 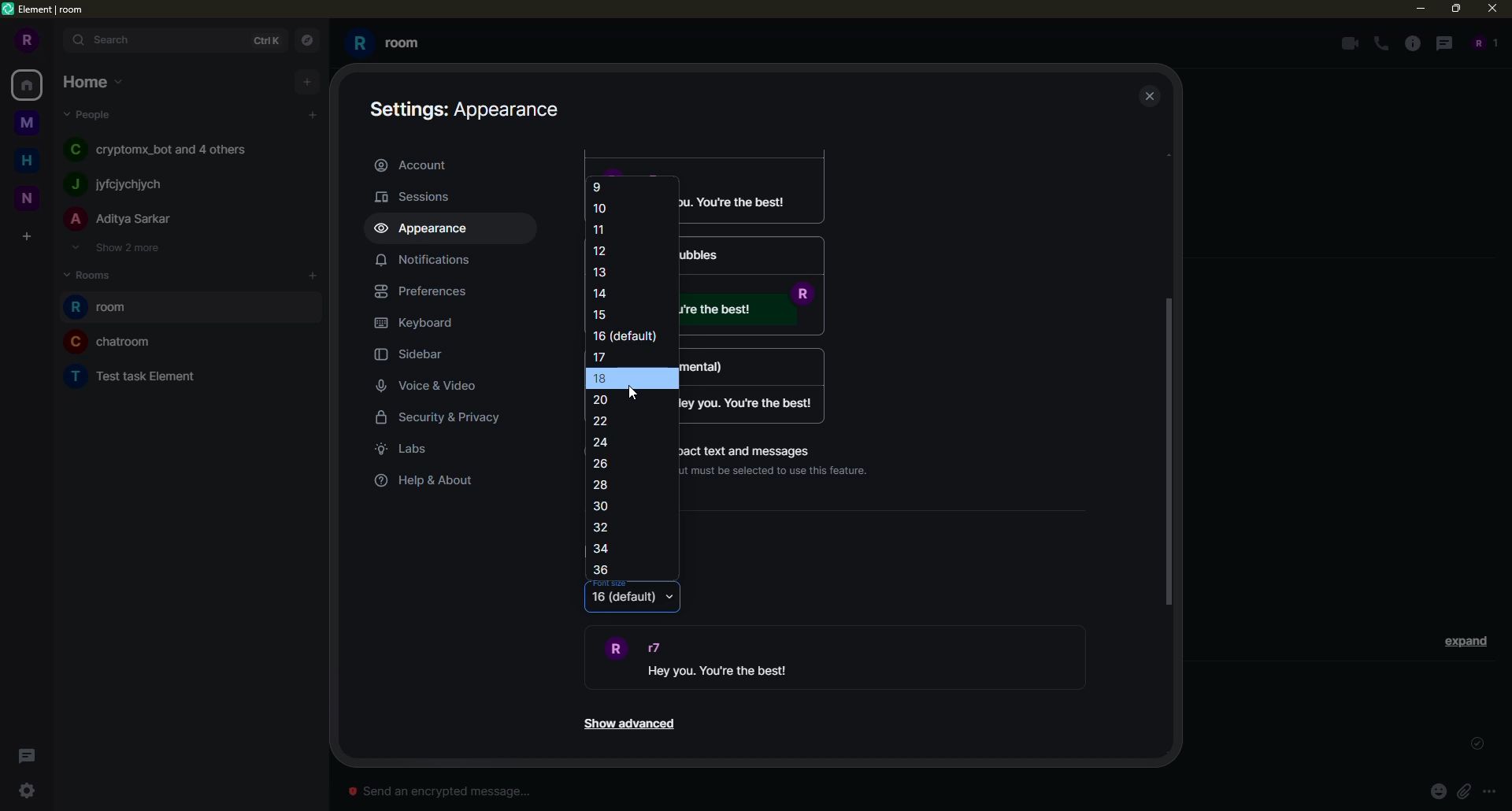 What do you see at coordinates (602, 571) in the screenshot?
I see `36` at bounding box center [602, 571].